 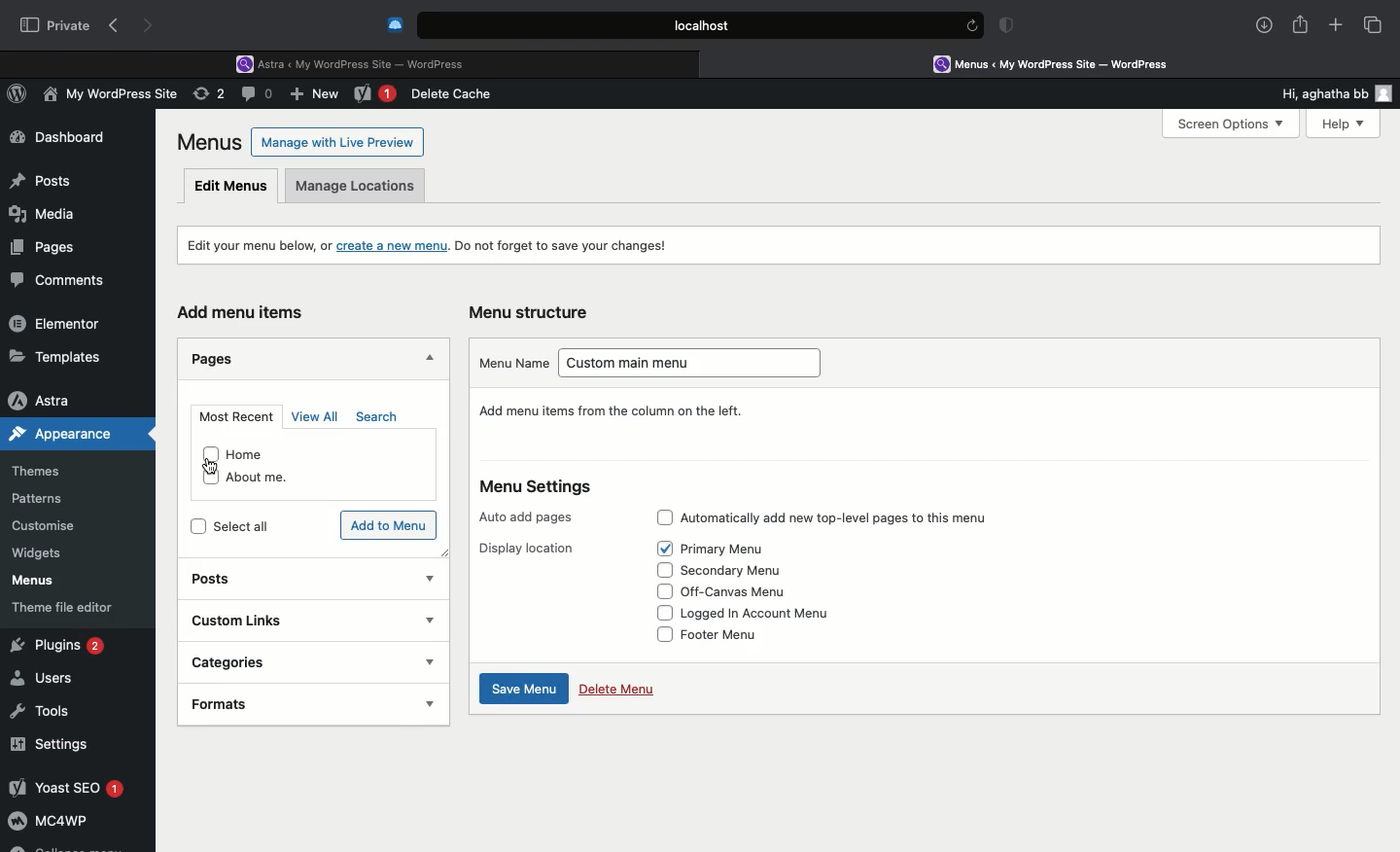 I want to click on Astra, so click(x=57, y=400).